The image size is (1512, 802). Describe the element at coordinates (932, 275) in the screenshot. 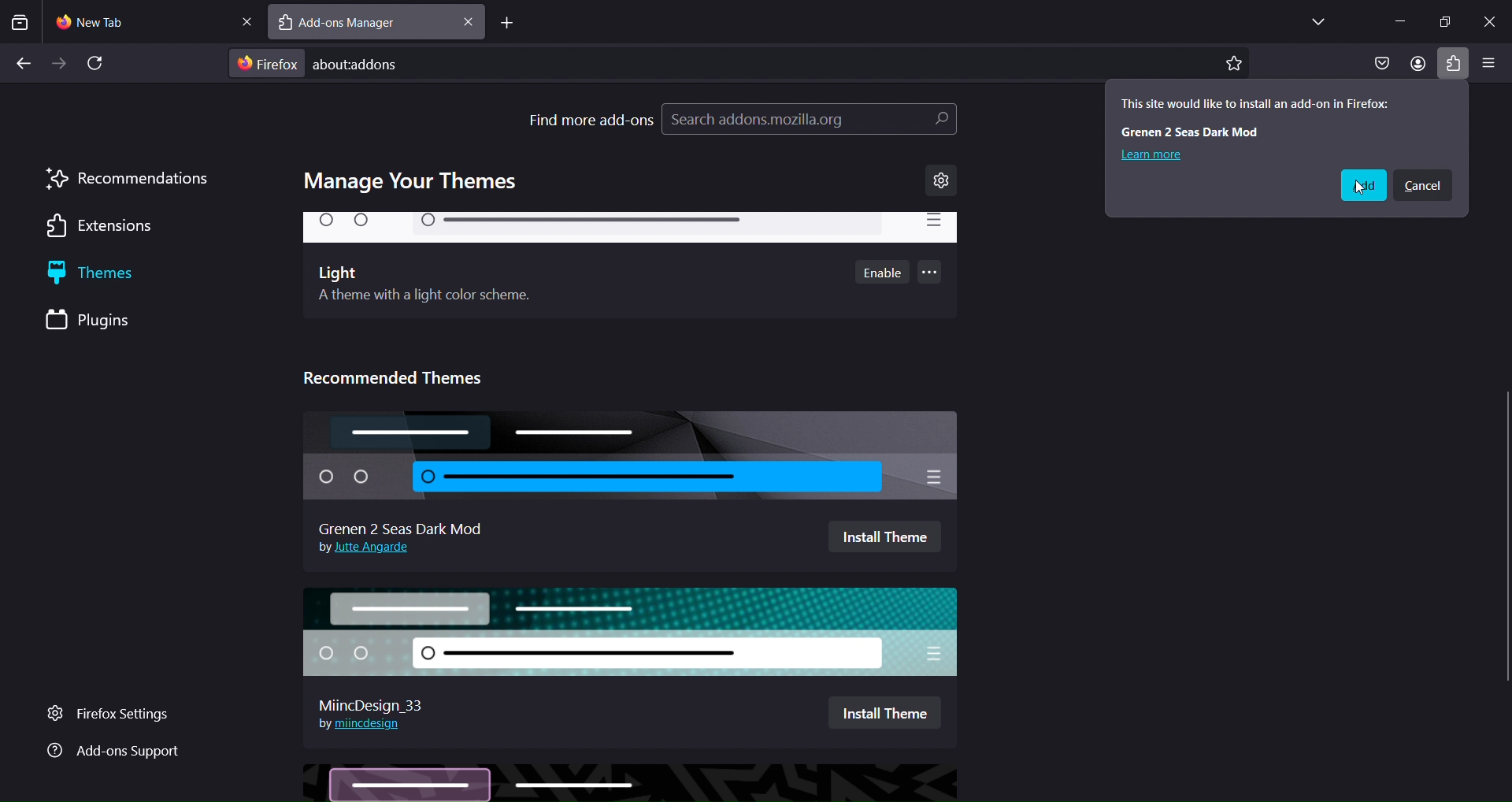

I see `...` at that location.